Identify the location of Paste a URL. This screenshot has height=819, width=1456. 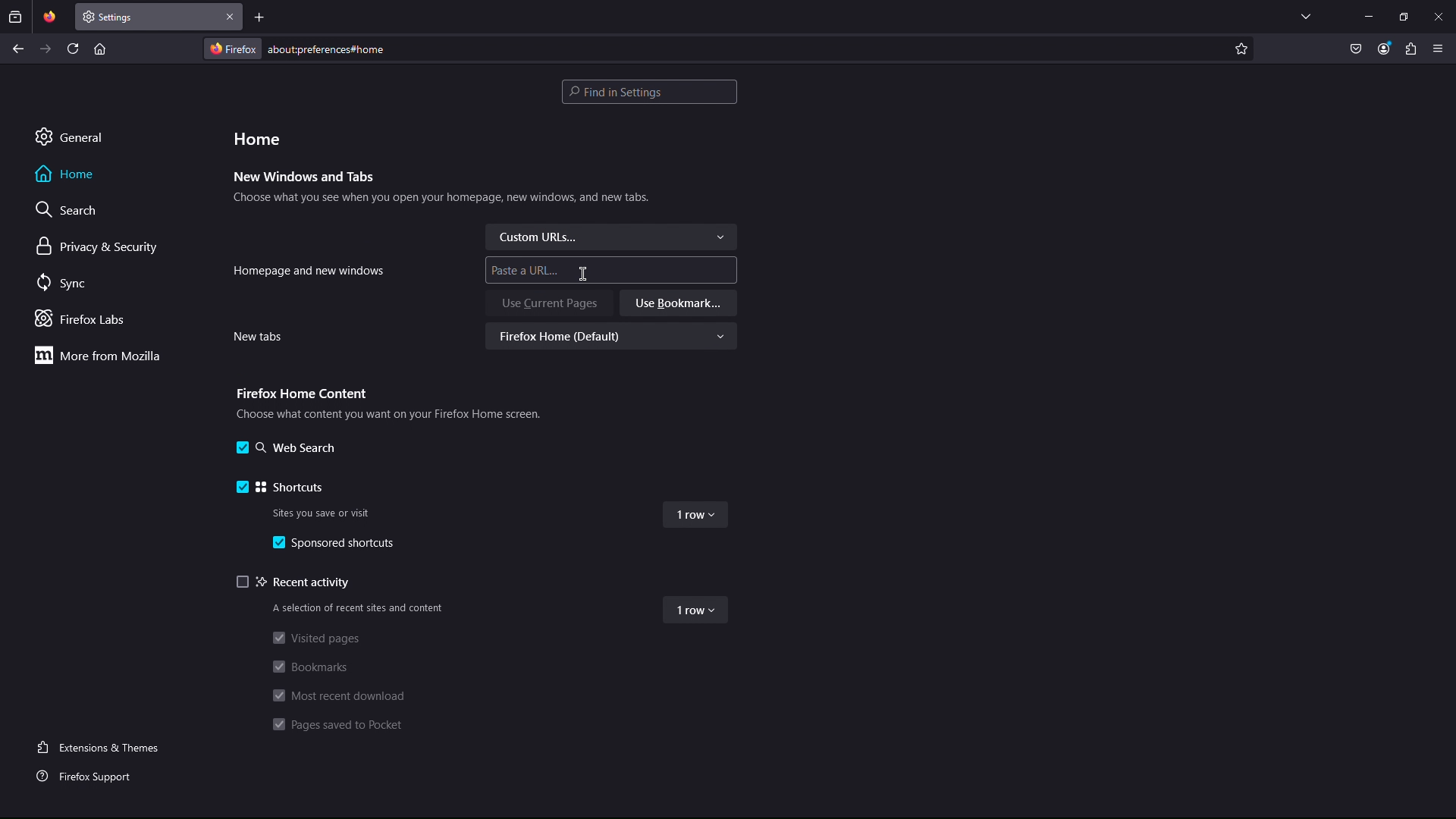
(613, 270).